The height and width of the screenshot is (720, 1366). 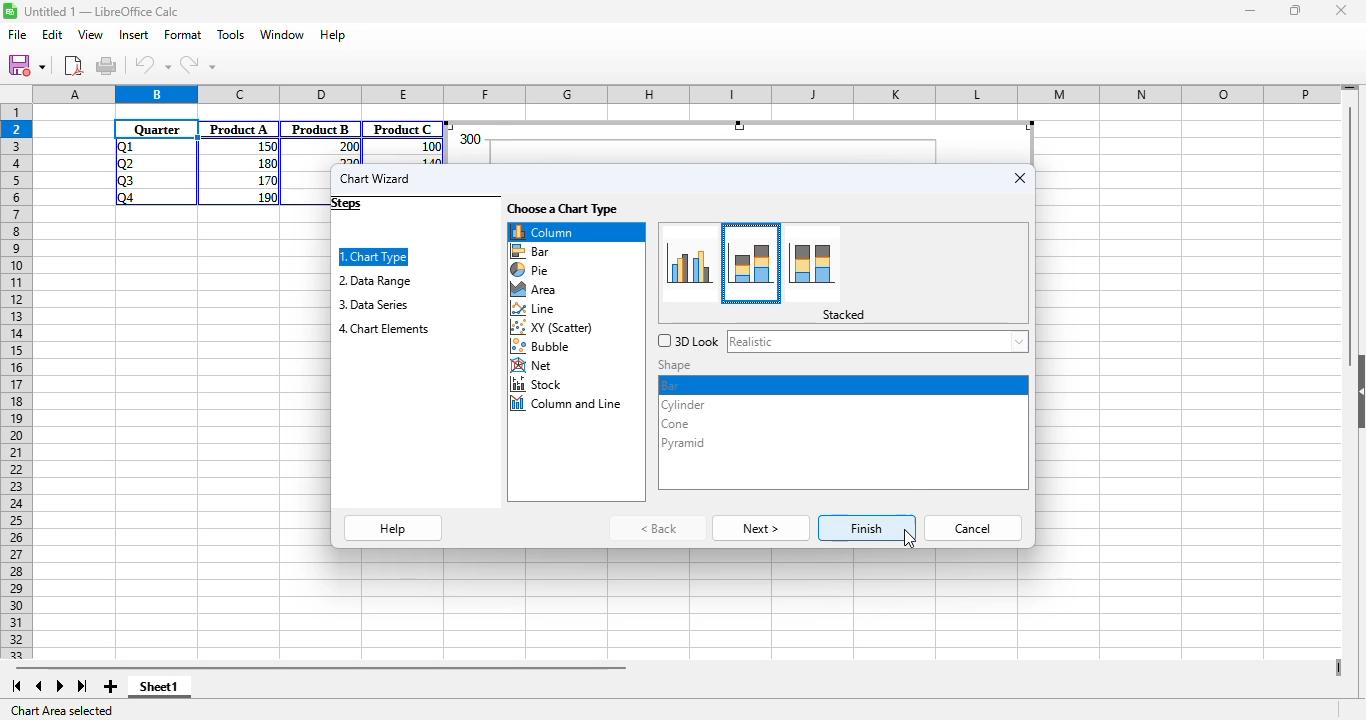 What do you see at coordinates (531, 251) in the screenshot?
I see `bar` at bounding box center [531, 251].